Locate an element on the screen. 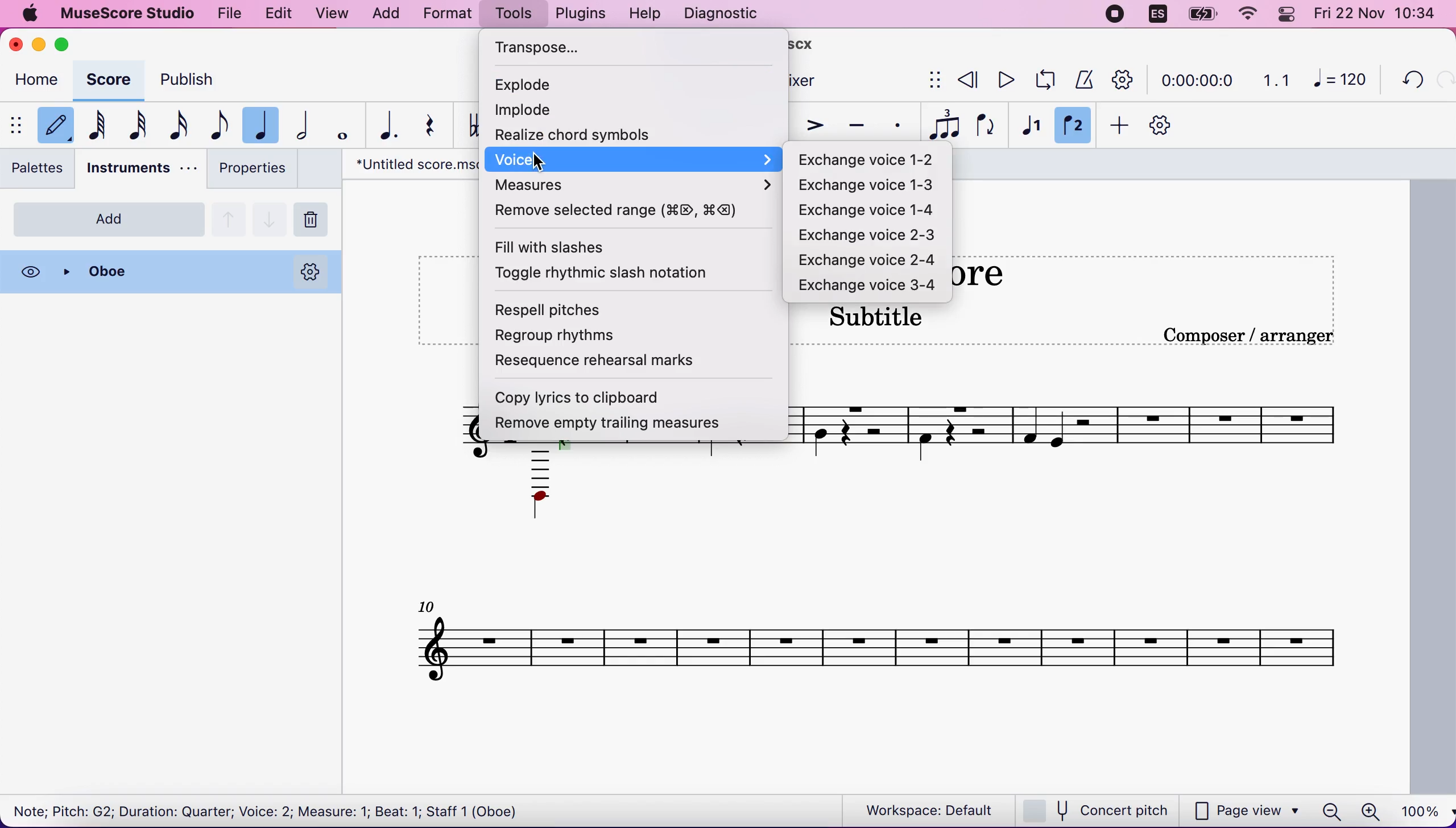 This screenshot has width=1456, height=828. tools is located at coordinates (514, 15).